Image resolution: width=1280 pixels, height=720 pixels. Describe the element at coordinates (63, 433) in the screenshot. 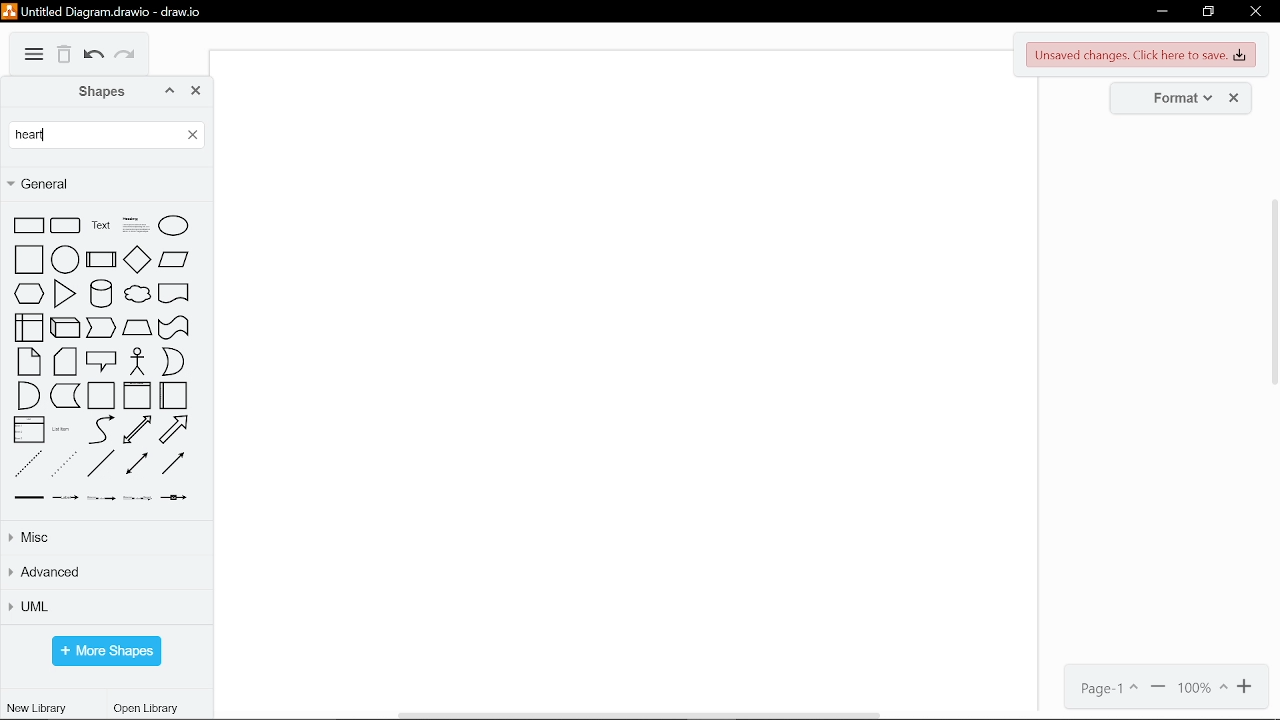

I see `list item` at that location.